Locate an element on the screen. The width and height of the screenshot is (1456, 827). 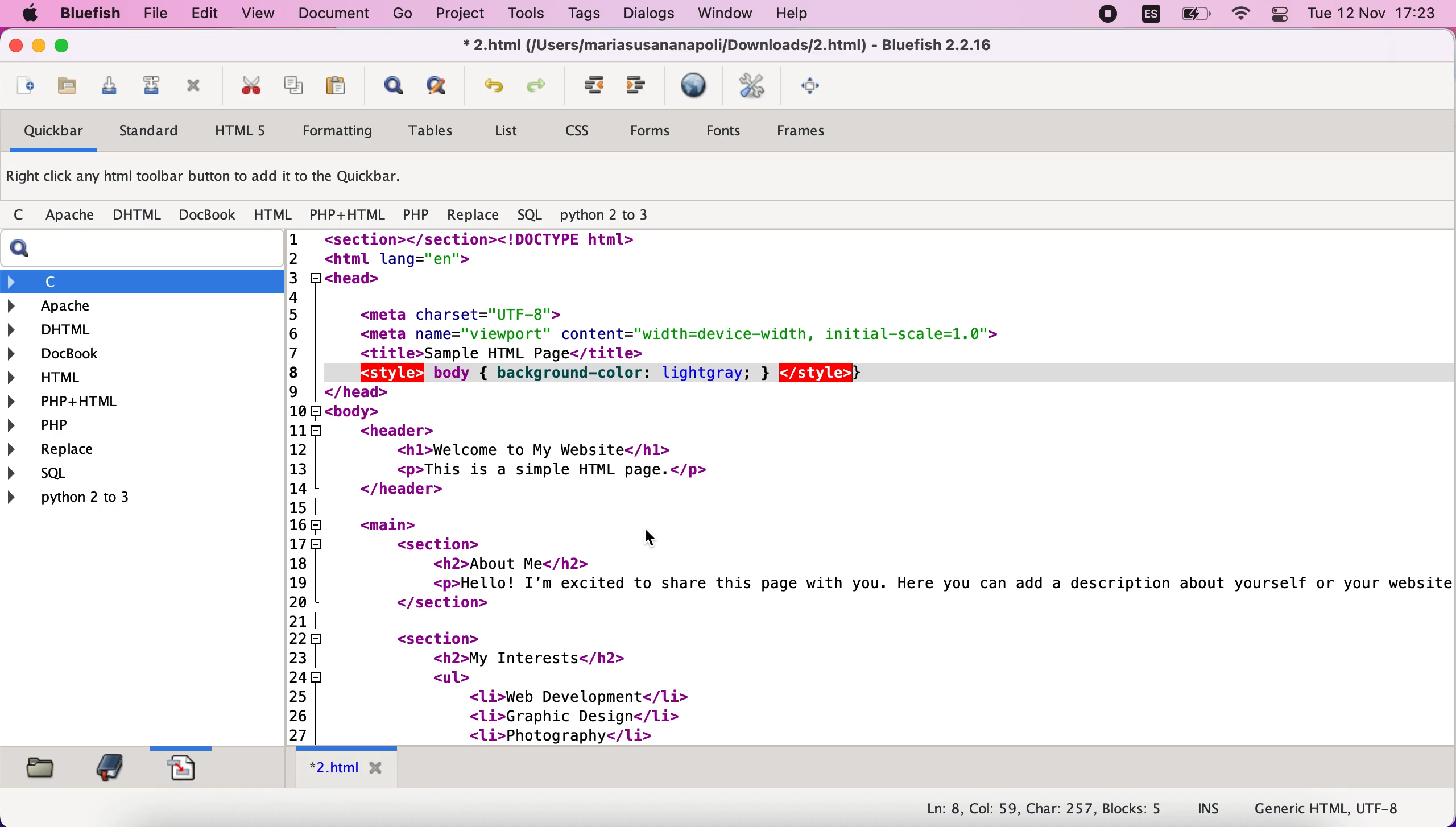
dhtml is located at coordinates (134, 332).